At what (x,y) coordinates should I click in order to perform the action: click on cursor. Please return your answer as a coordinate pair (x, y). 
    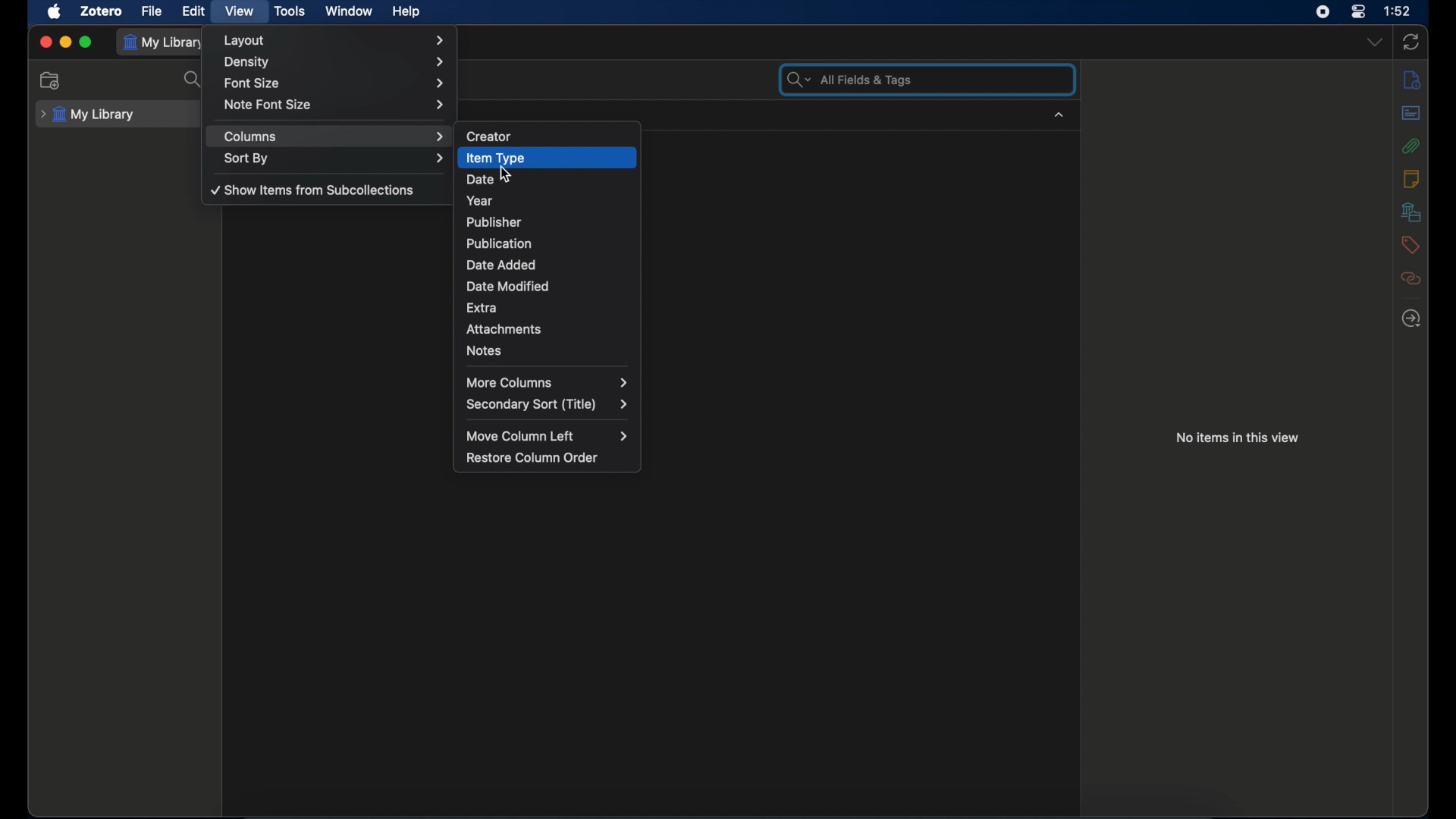
    Looking at the image, I should click on (507, 175).